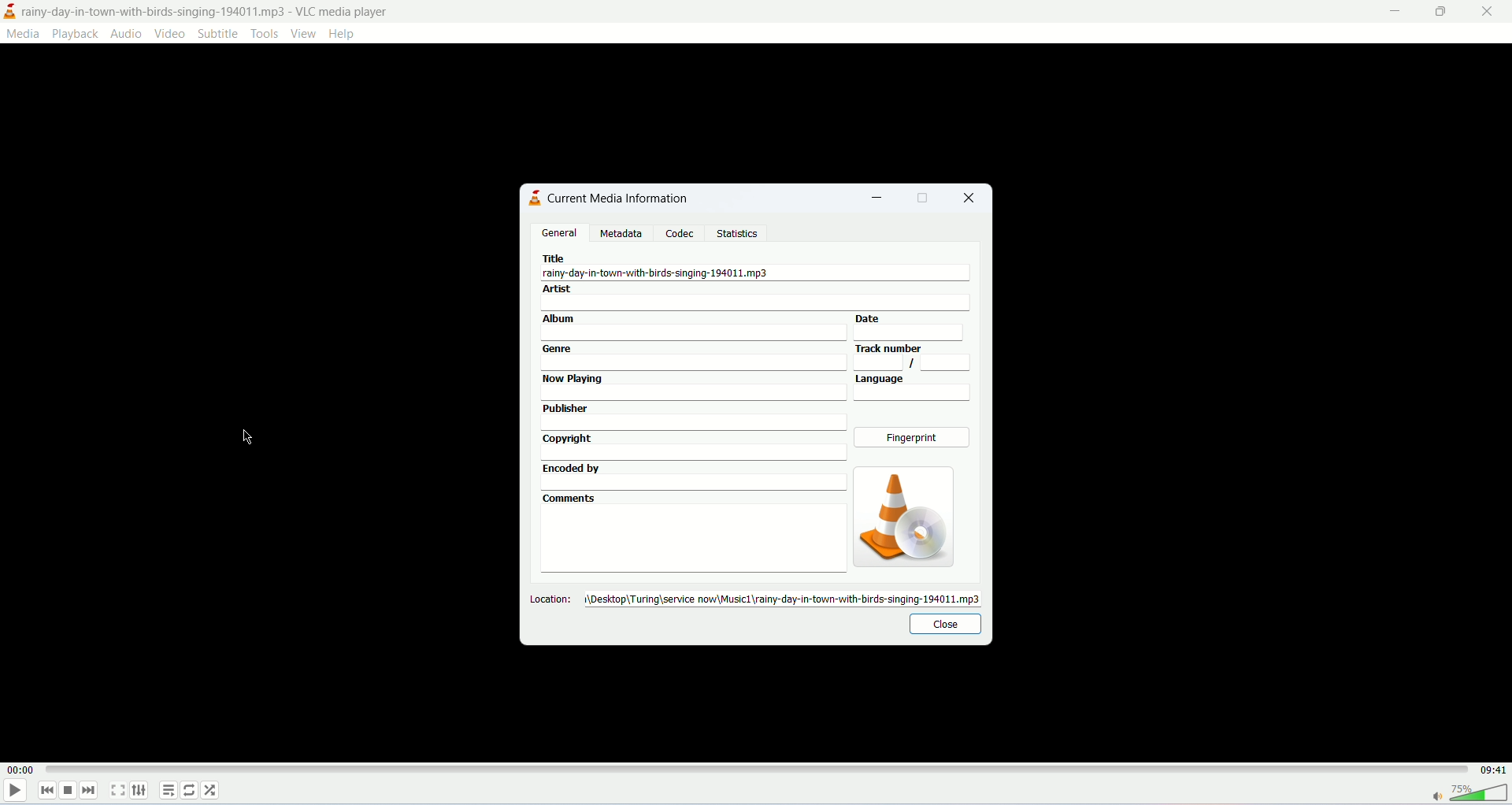  I want to click on play/pause, so click(13, 793).